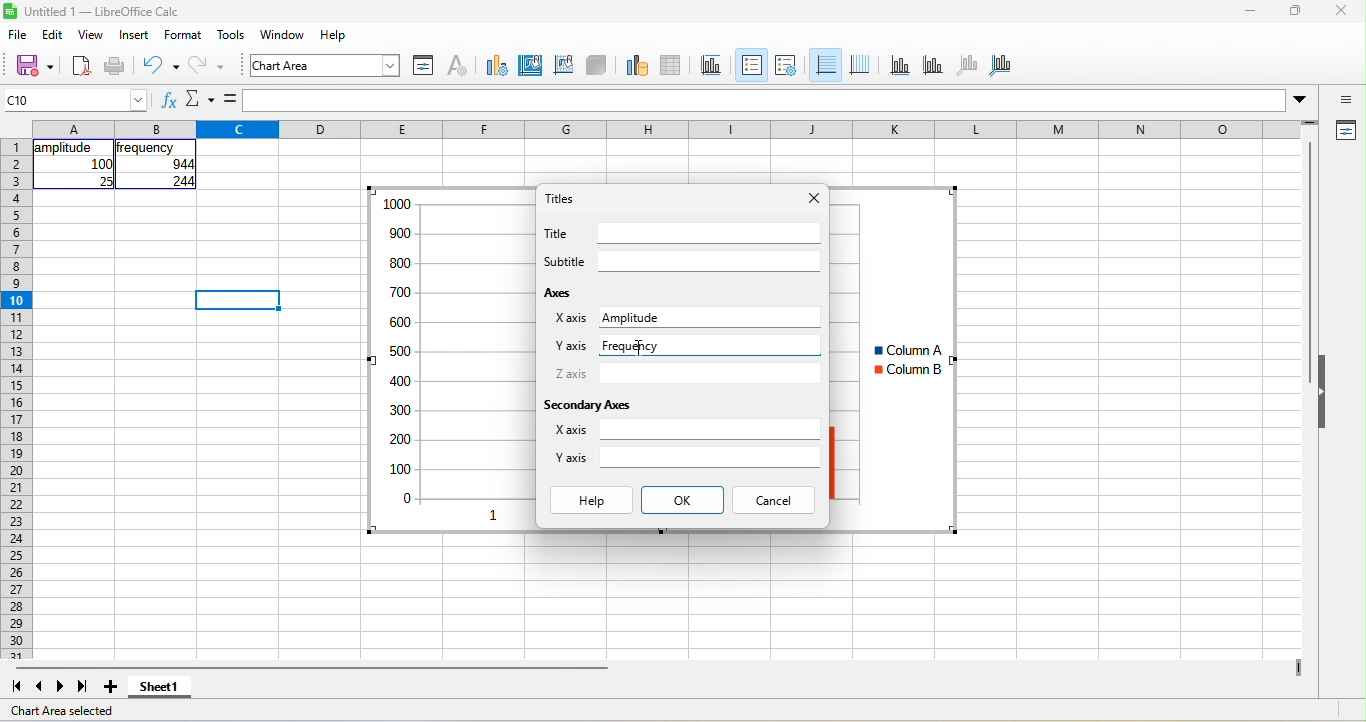  I want to click on close, so click(815, 198).